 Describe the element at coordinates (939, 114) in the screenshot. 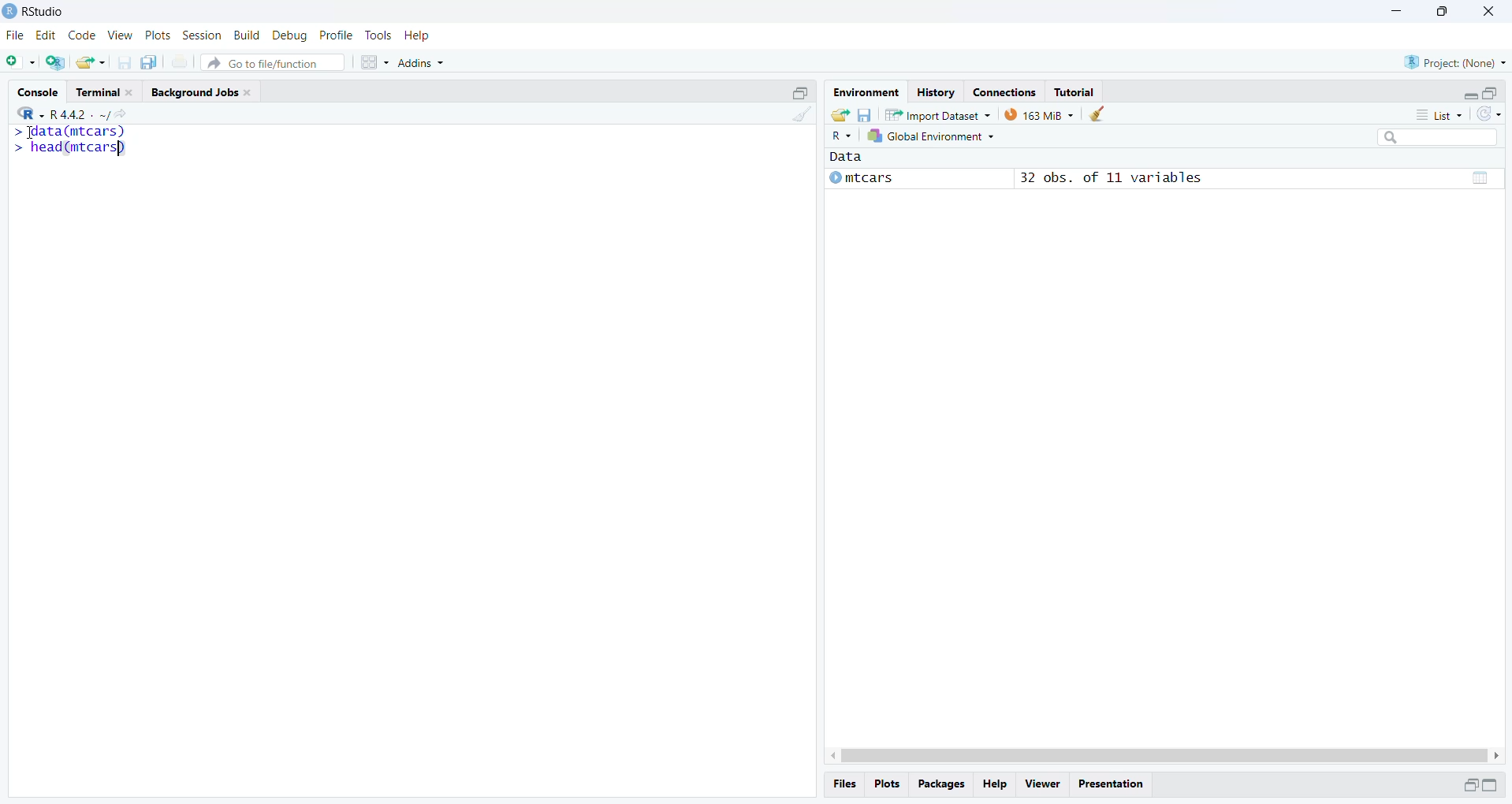

I see `Import Dataset` at that location.